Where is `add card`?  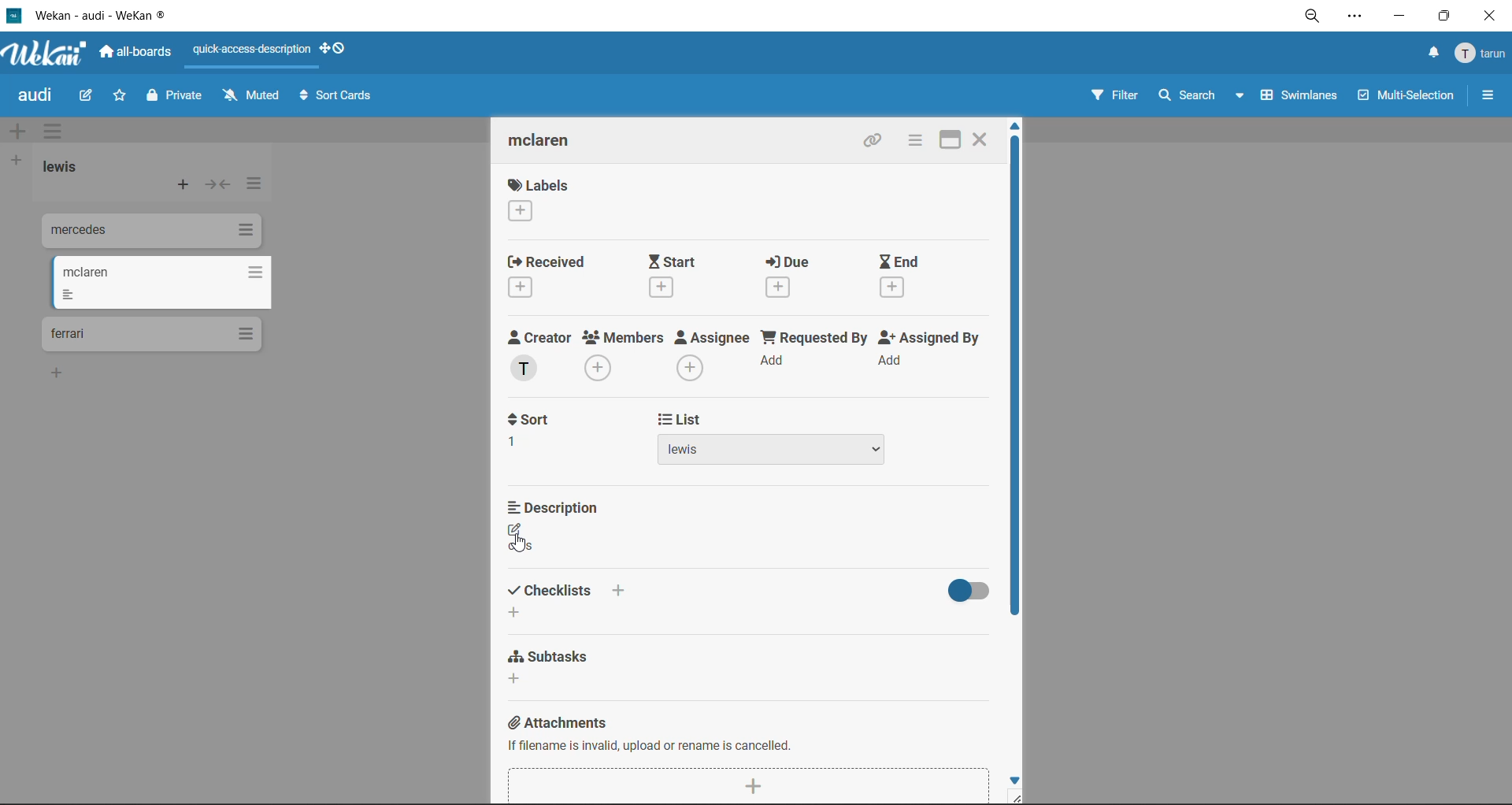
add card is located at coordinates (184, 187).